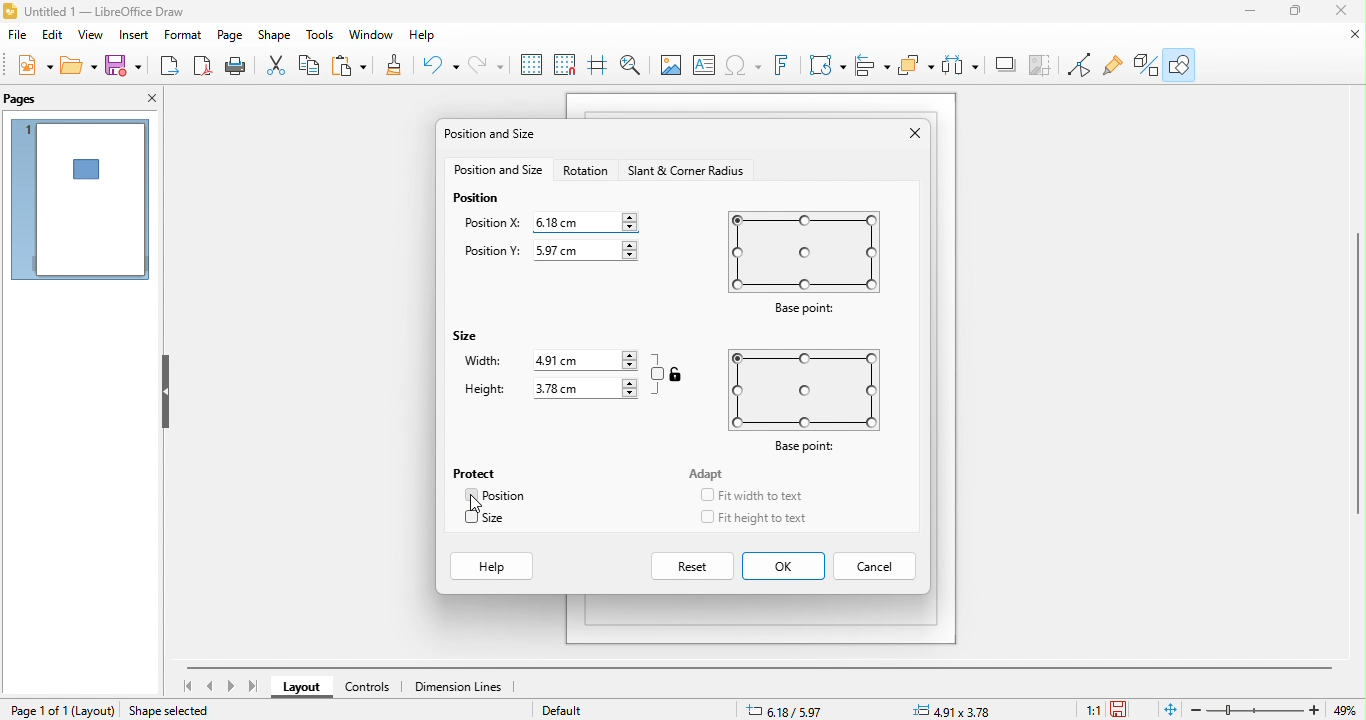 The height and width of the screenshot is (720, 1366). Describe the element at coordinates (114, 12) in the screenshot. I see `untitled 1- libre office draw` at that location.